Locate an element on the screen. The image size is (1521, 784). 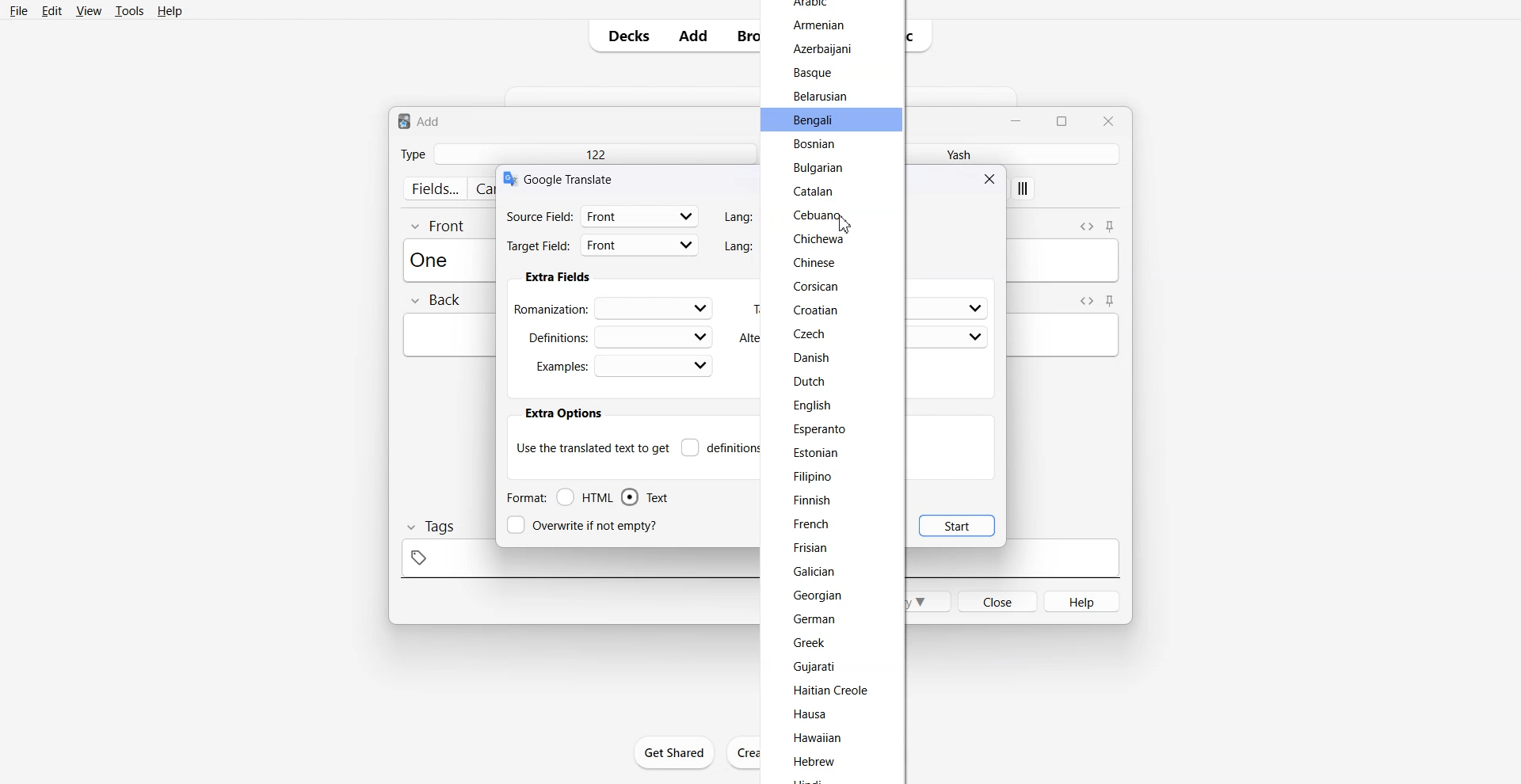
Definitions is located at coordinates (721, 447).